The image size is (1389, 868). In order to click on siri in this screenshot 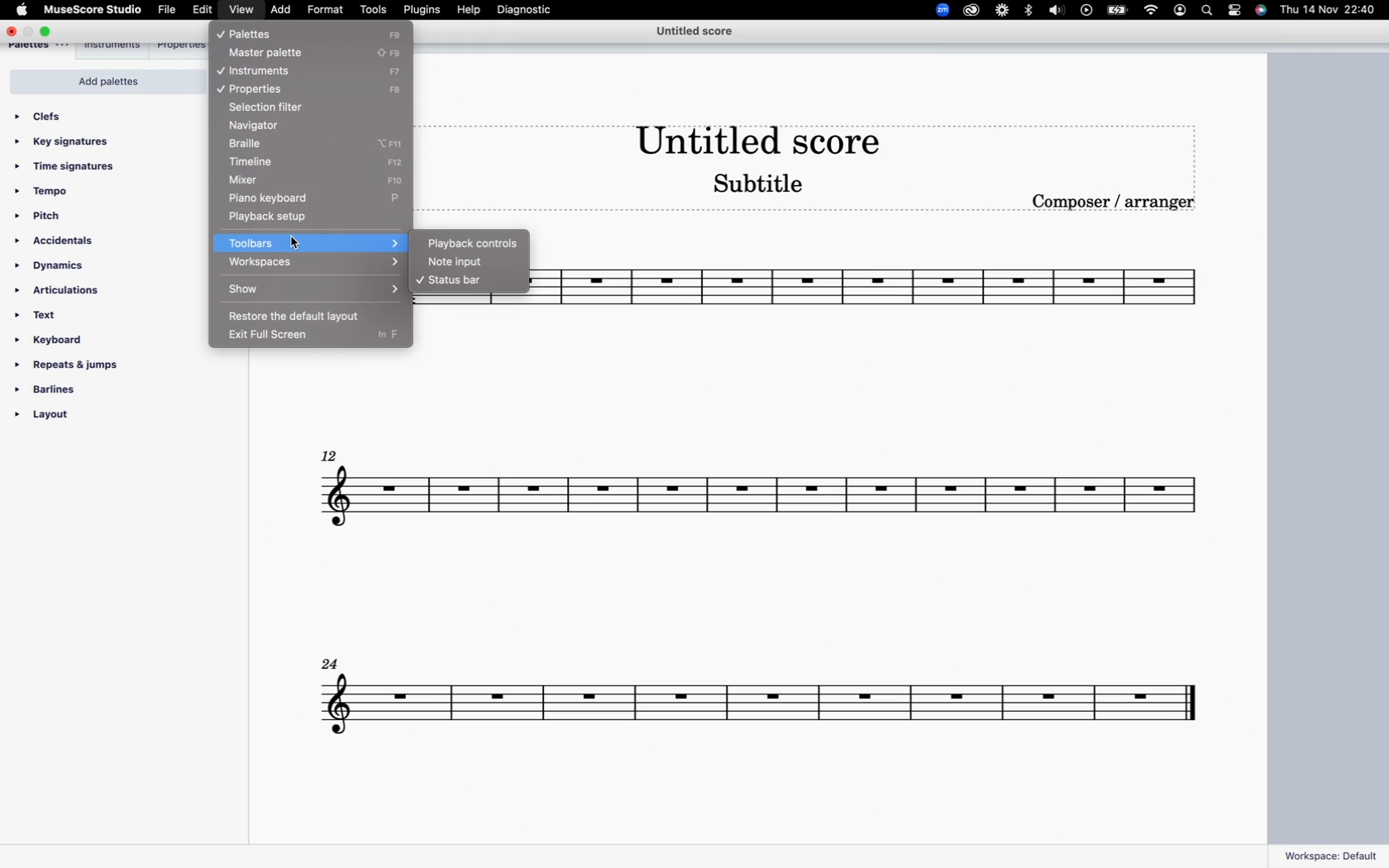, I will do `click(1263, 11)`.